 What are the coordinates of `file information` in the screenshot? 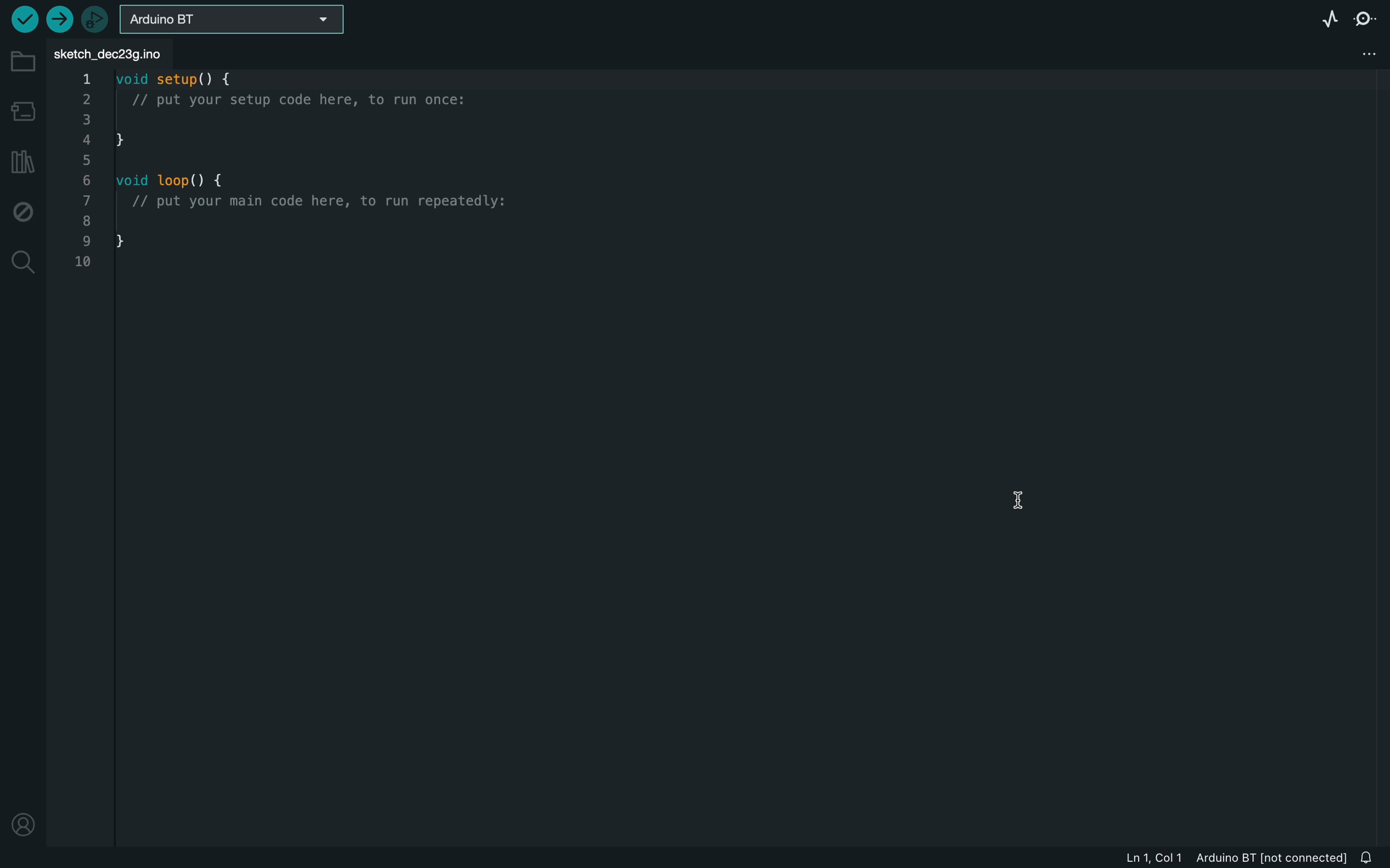 It's located at (1232, 858).